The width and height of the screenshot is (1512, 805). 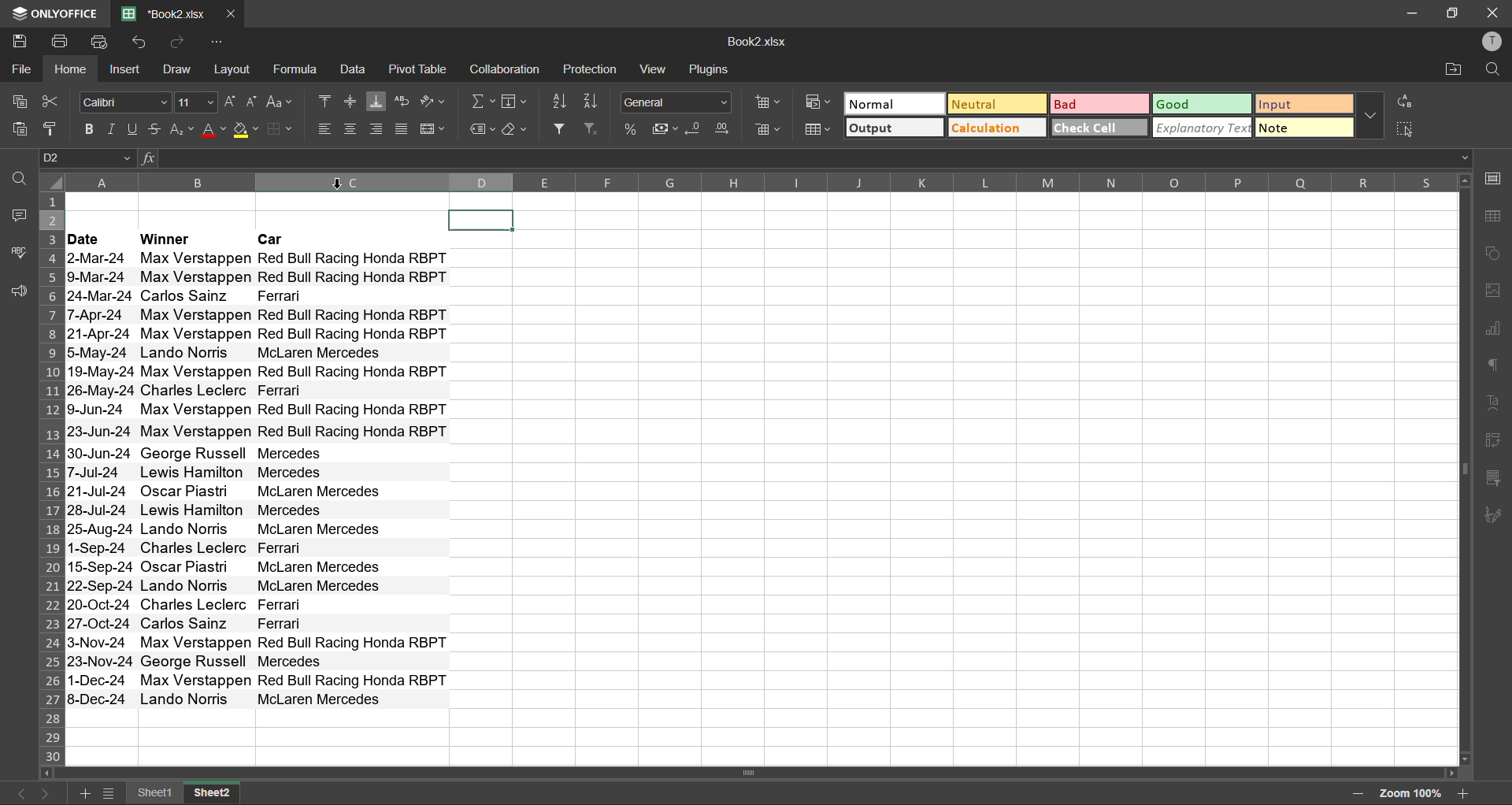 I want to click on Book2.xlsx, so click(x=758, y=43).